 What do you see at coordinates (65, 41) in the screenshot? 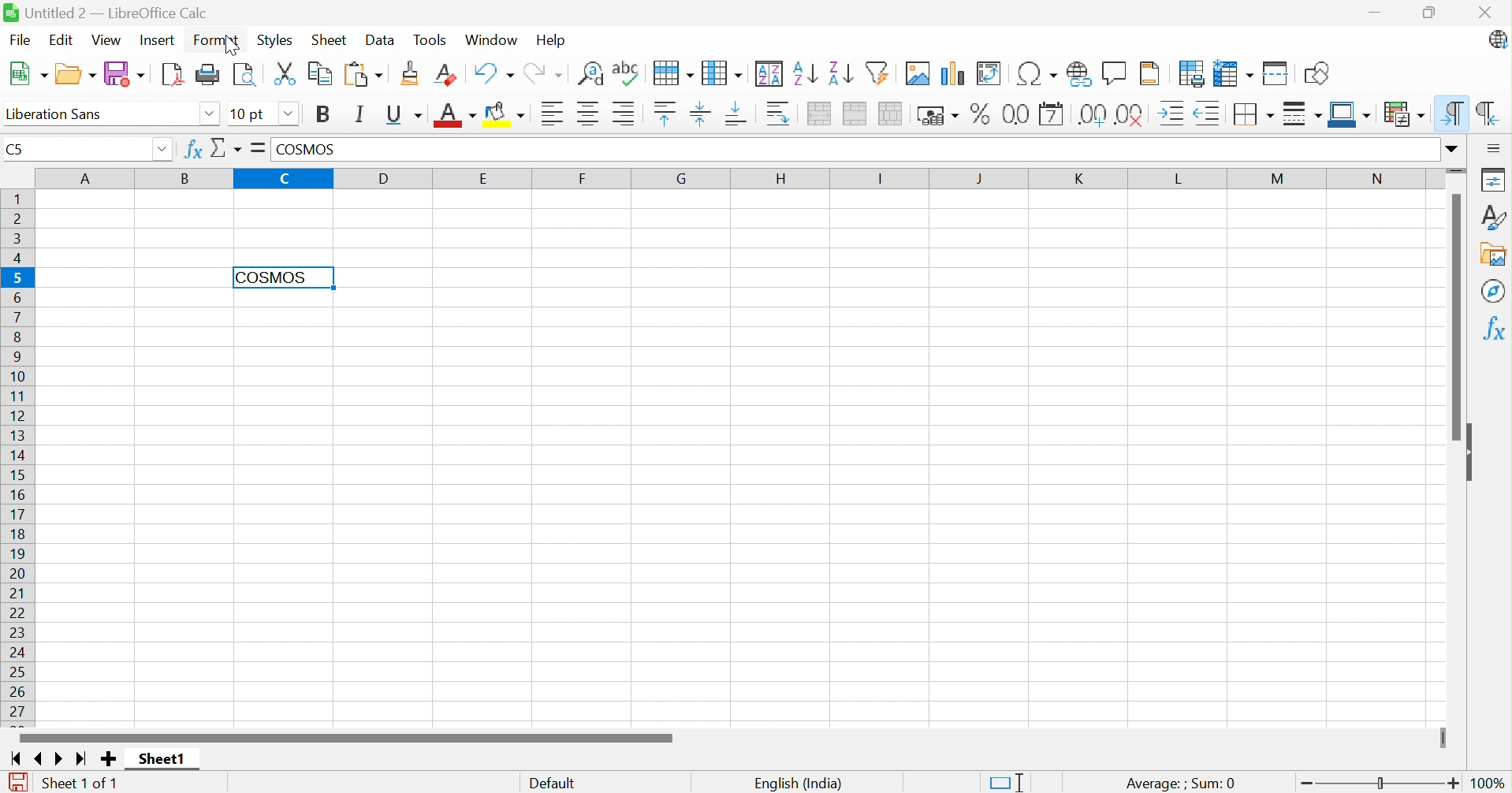
I see `Edit` at bounding box center [65, 41].